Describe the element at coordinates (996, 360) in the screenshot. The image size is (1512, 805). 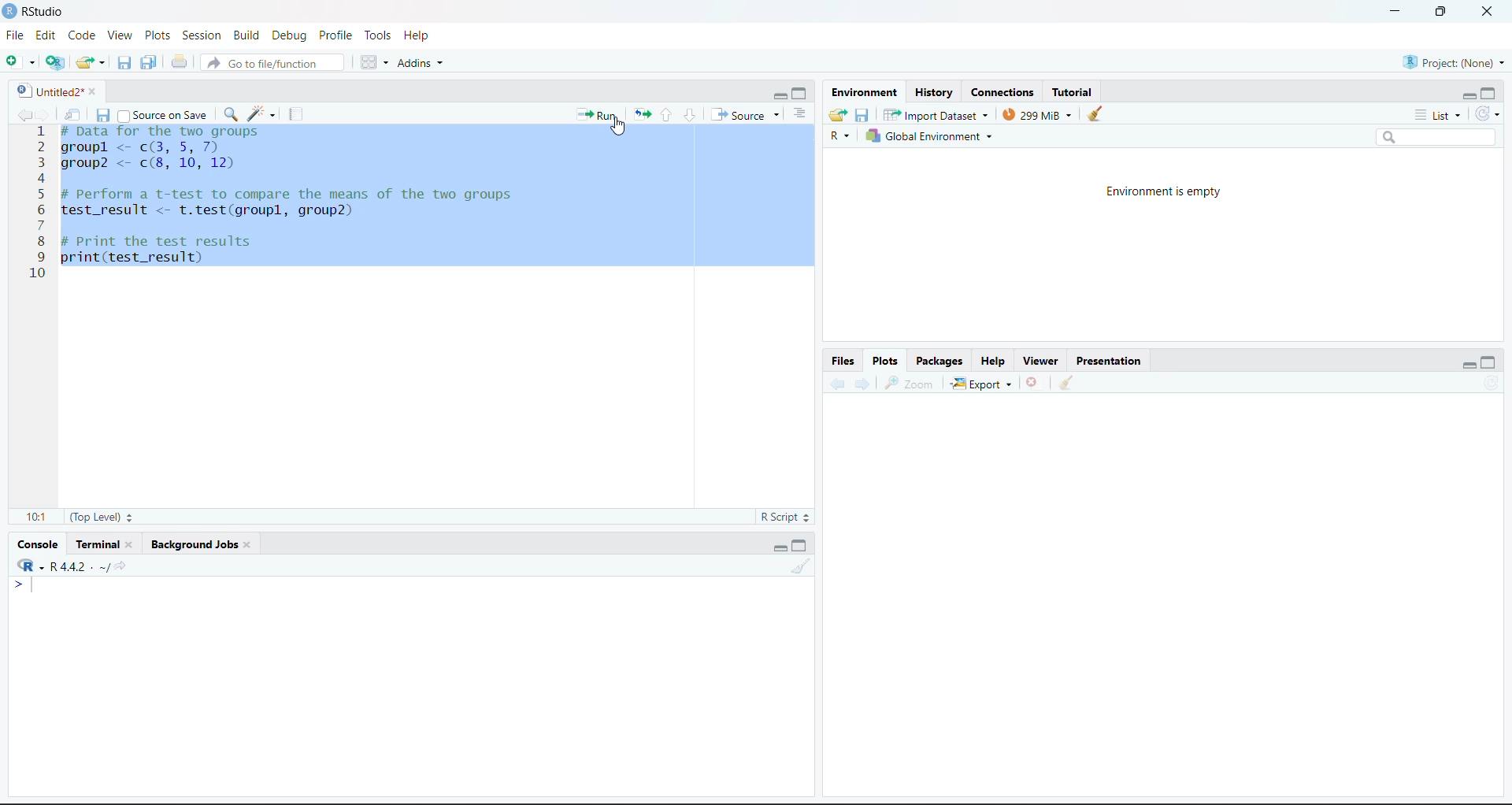
I see `Help` at that location.